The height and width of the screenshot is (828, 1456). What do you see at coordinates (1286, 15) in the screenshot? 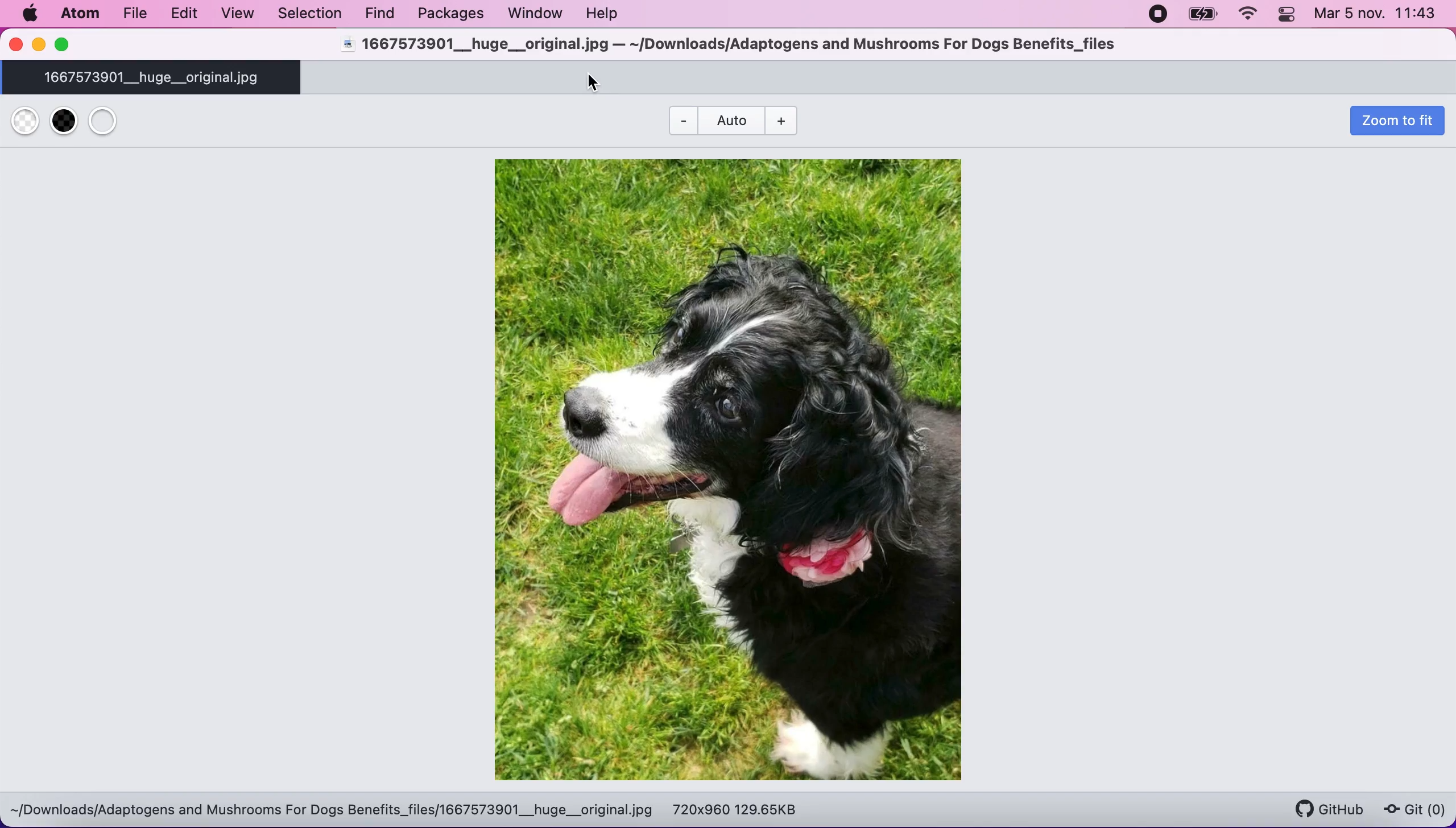
I see `panel control` at bounding box center [1286, 15].